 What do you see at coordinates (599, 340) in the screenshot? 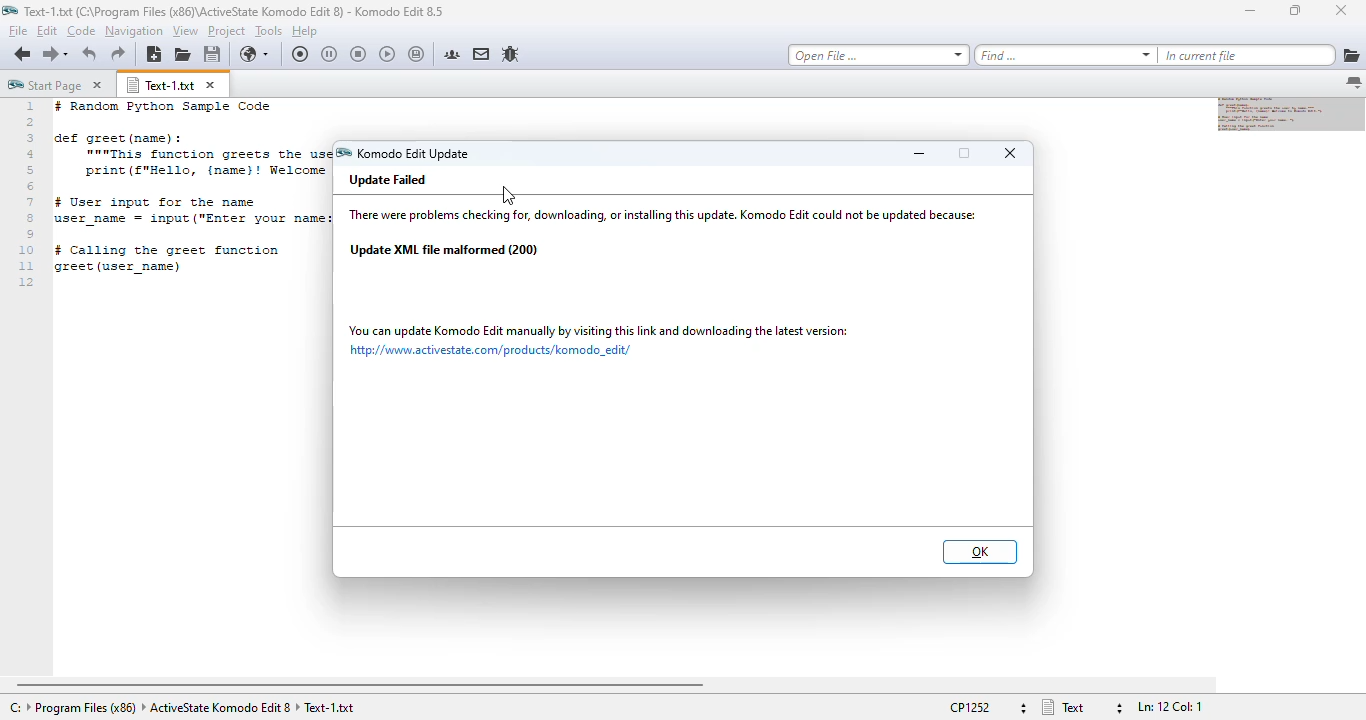
I see `Click on "Check for Updates" in the Help menu.` at bounding box center [599, 340].